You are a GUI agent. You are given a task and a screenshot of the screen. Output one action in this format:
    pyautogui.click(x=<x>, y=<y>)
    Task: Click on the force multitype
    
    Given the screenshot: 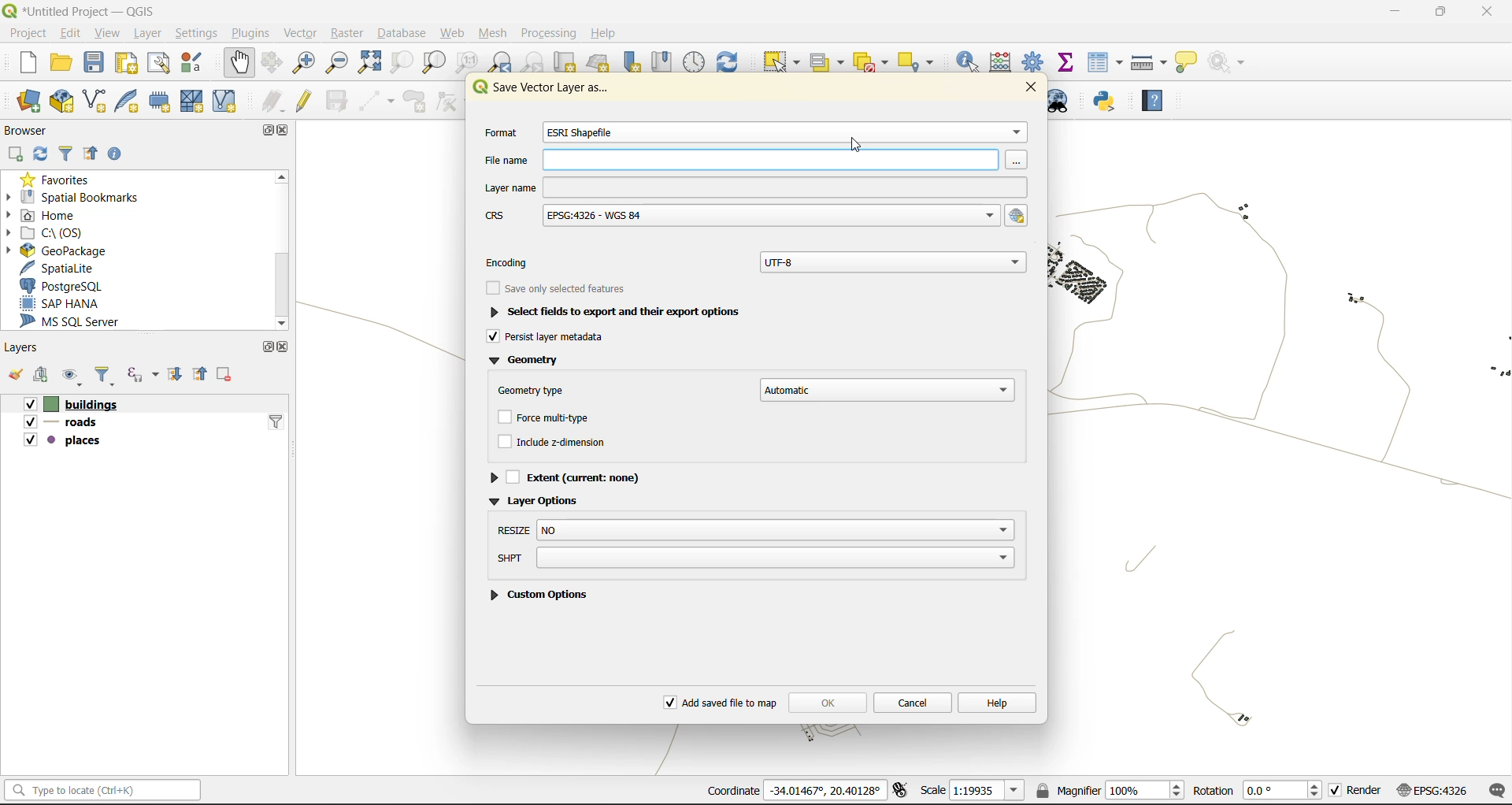 What is the action you would take?
    pyautogui.click(x=547, y=419)
    